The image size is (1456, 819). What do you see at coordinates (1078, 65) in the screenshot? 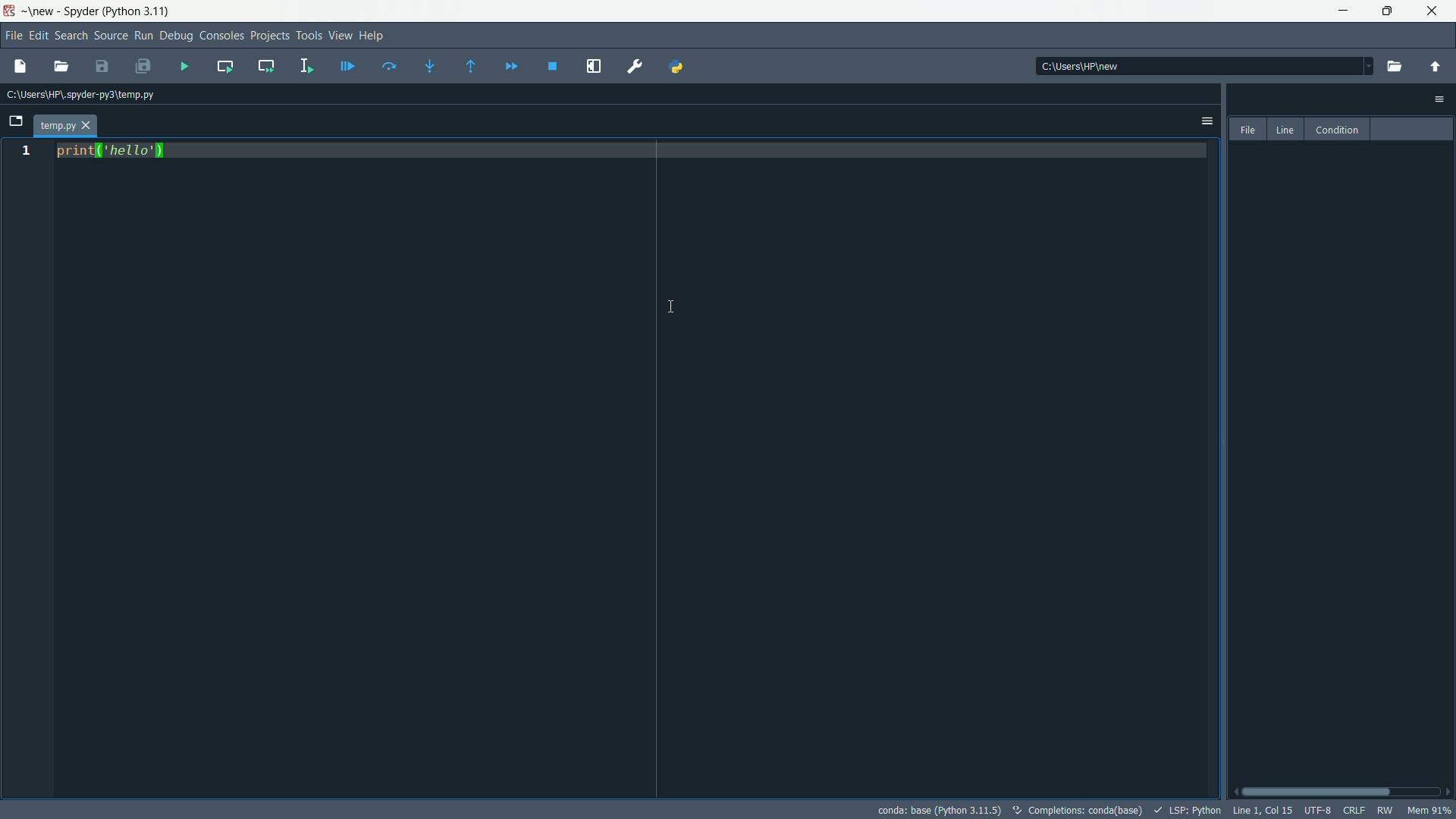
I see `c:\users\hp\new` at bounding box center [1078, 65].